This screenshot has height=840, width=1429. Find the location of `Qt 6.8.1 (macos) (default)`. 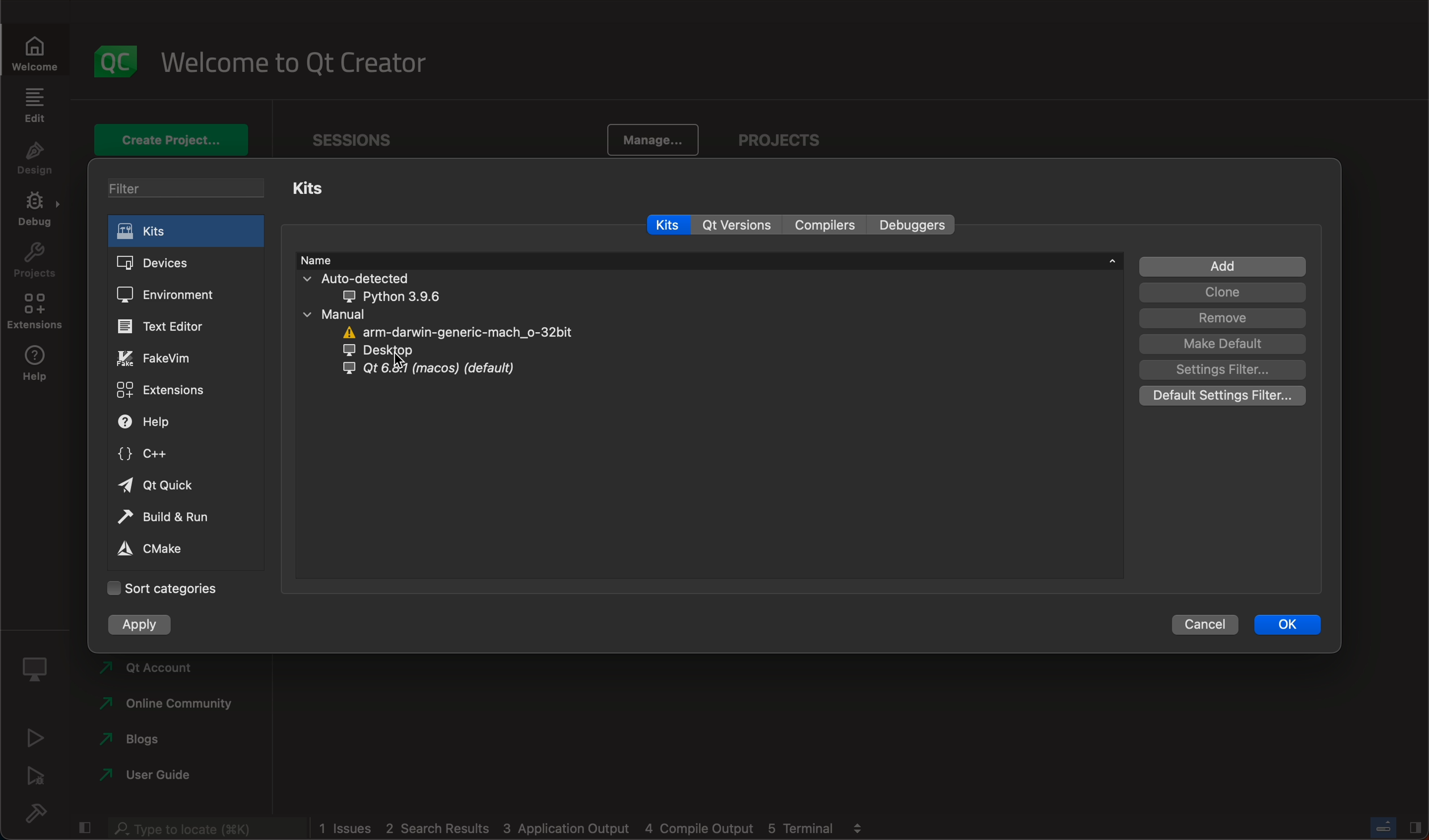

Qt 6.8.1 (macos) (default) is located at coordinates (433, 370).